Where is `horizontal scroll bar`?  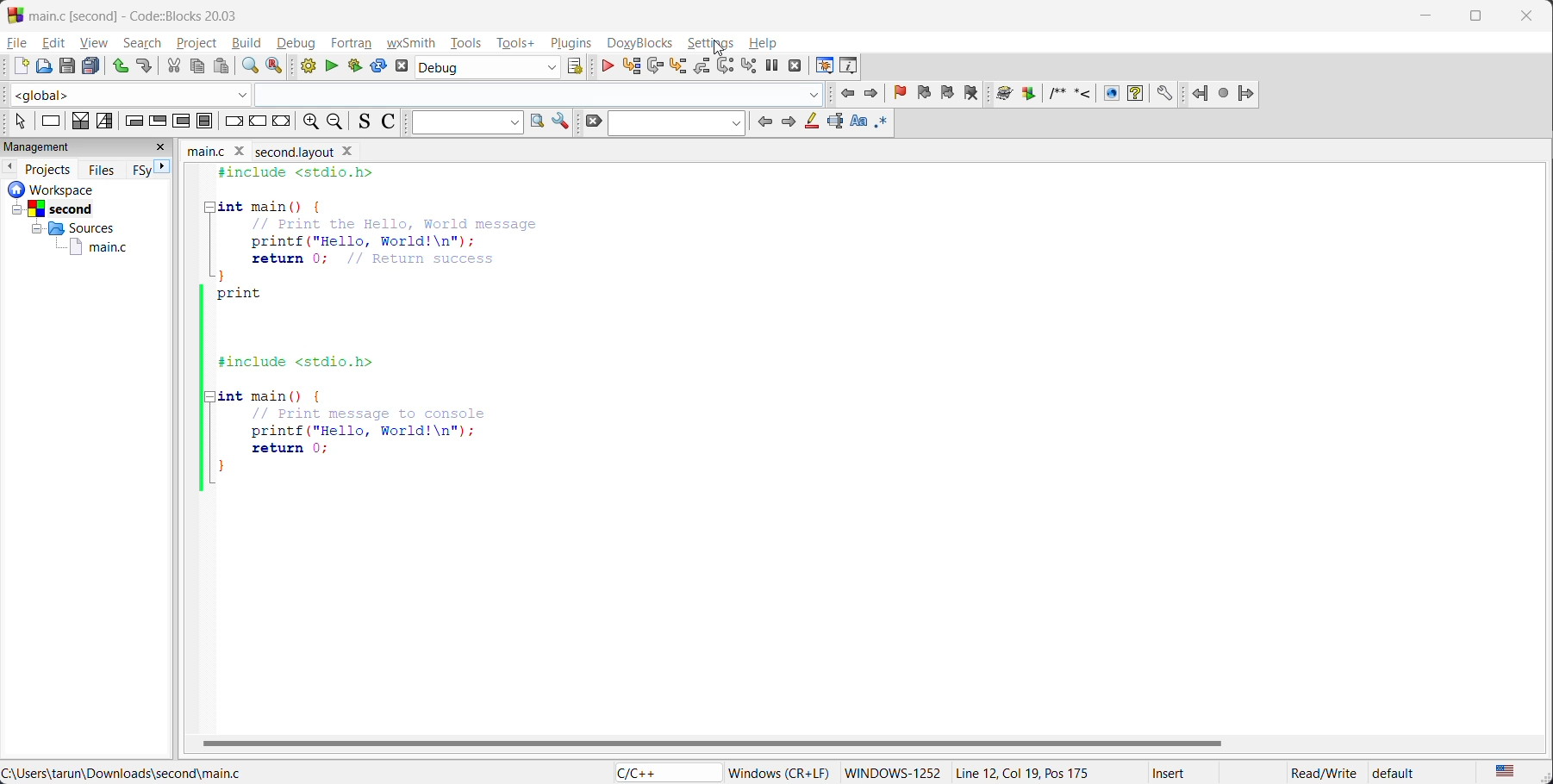 horizontal scroll bar is located at coordinates (714, 744).